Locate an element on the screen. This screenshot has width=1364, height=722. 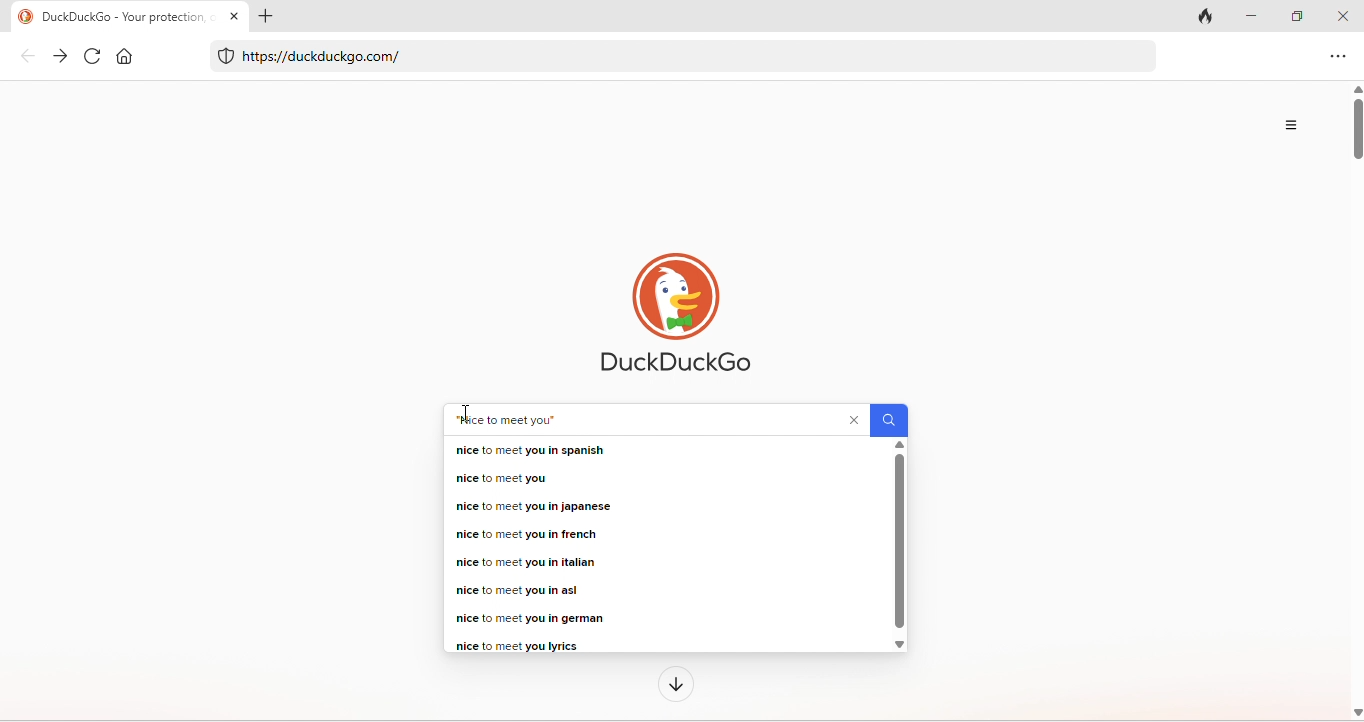
option is located at coordinates (1335, 58).